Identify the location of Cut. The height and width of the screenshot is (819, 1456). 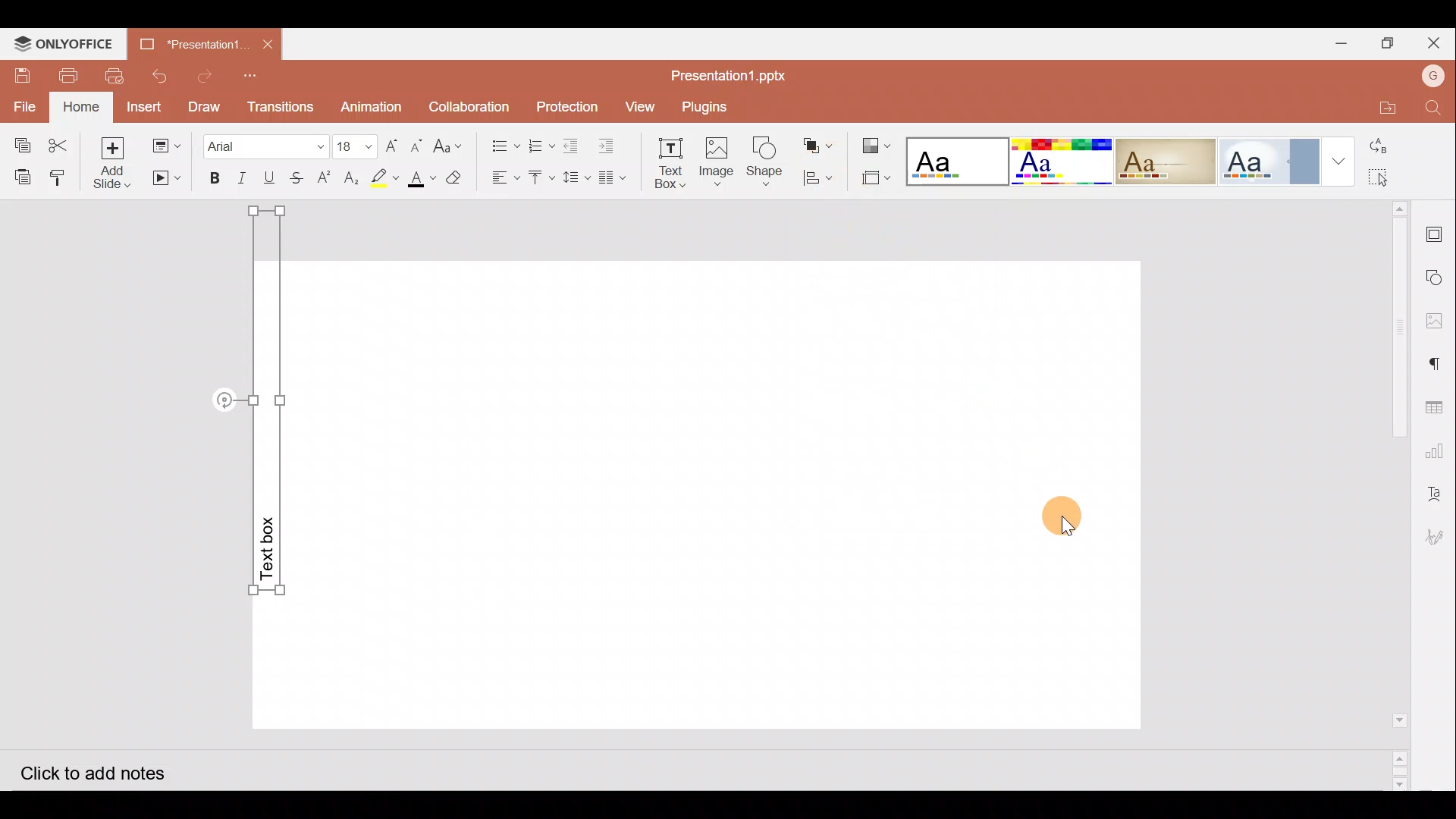
(63, 142).